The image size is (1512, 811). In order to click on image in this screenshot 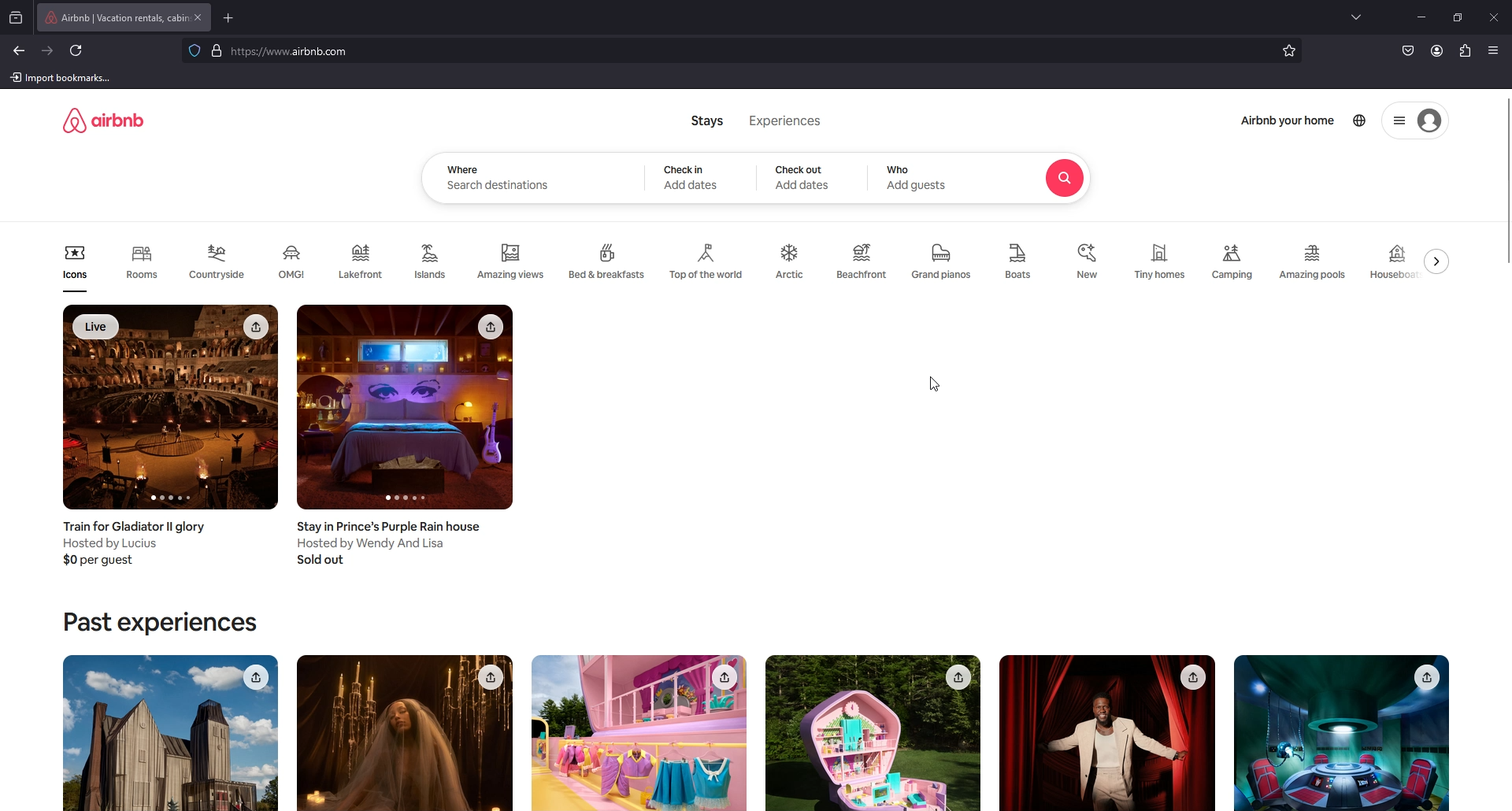, I will do `click(170, 732)`.